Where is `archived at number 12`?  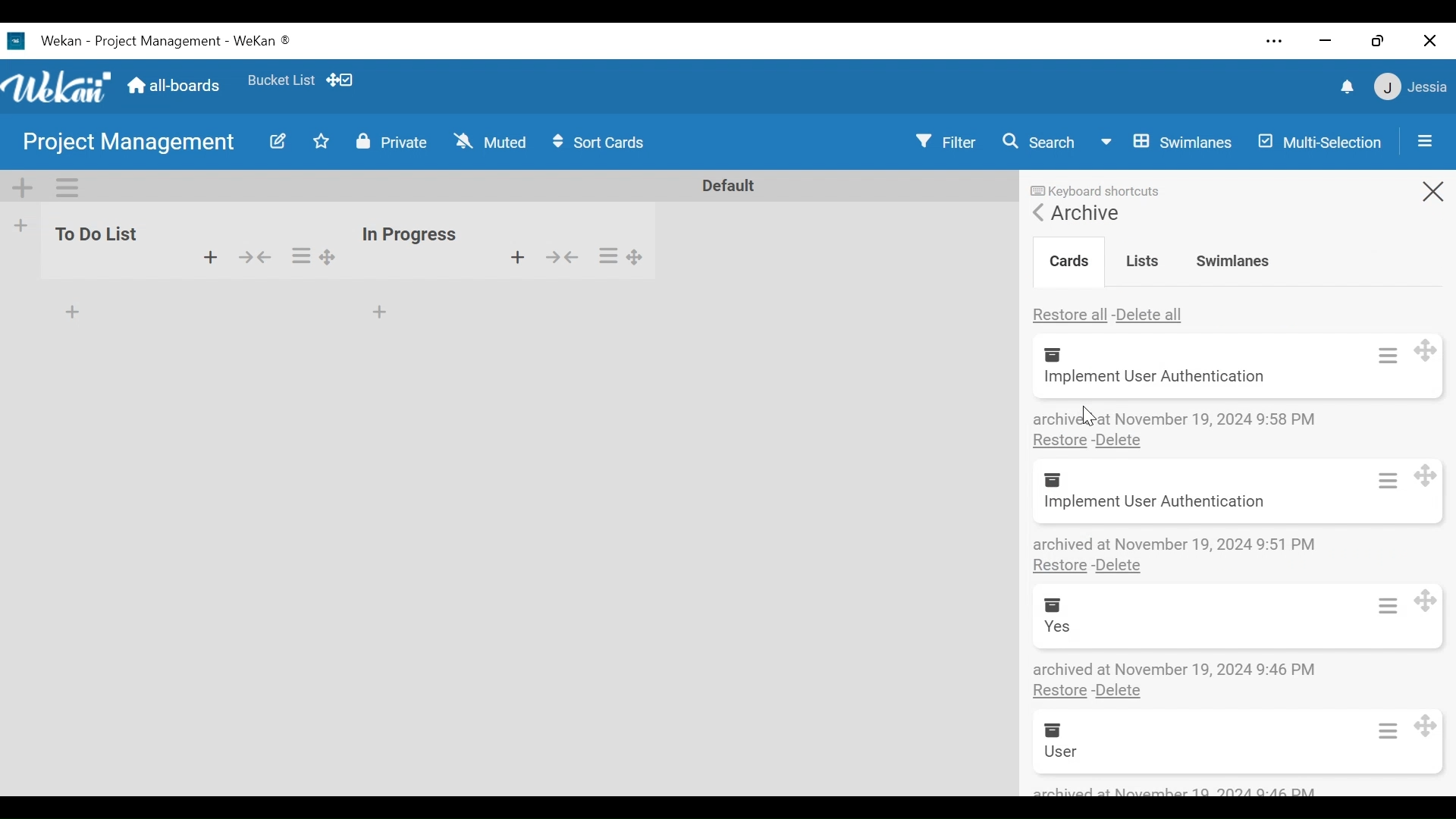
archived at number 12 is located at coordinates (1179, 789).